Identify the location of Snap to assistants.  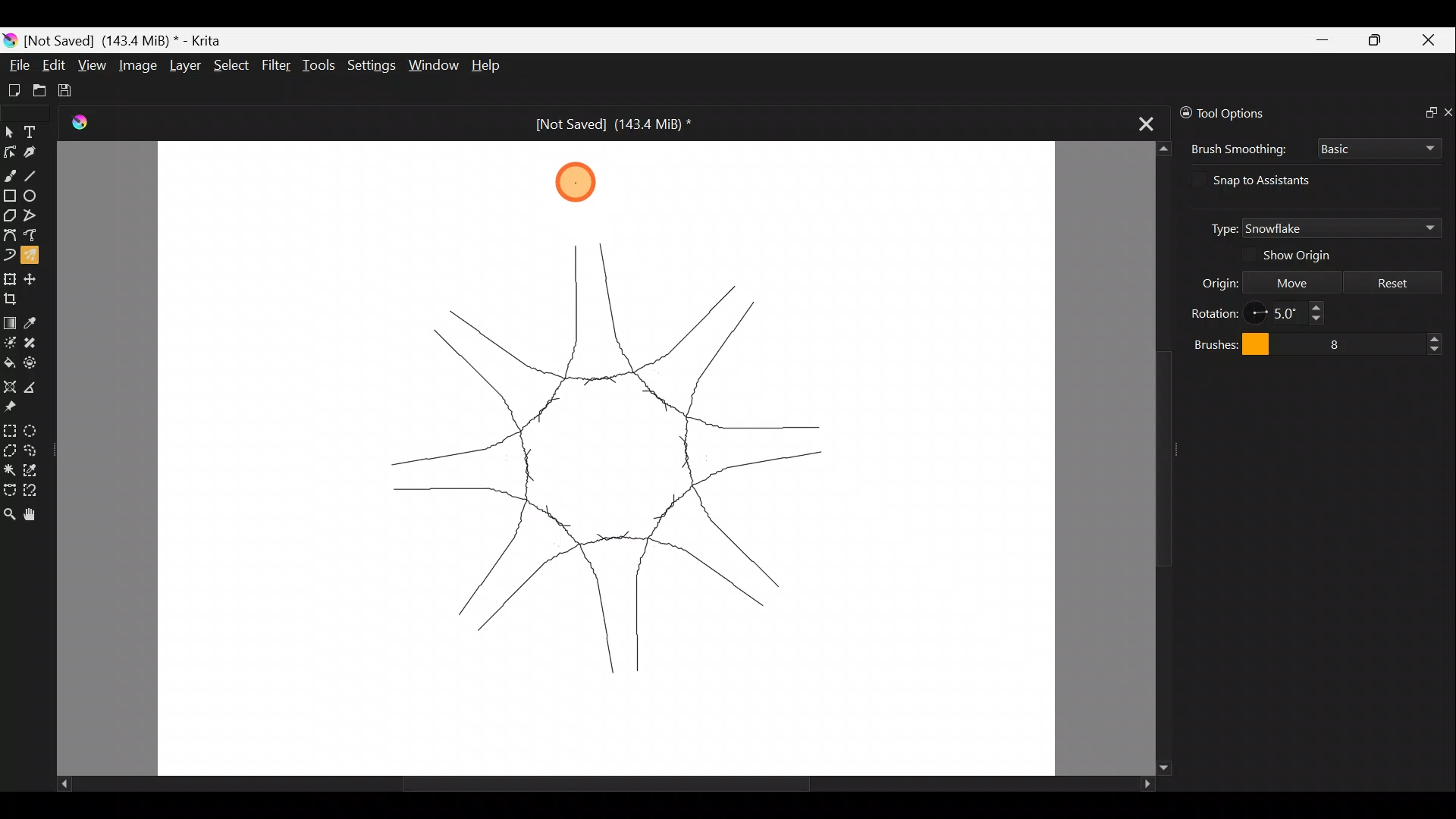
(1275, 180).